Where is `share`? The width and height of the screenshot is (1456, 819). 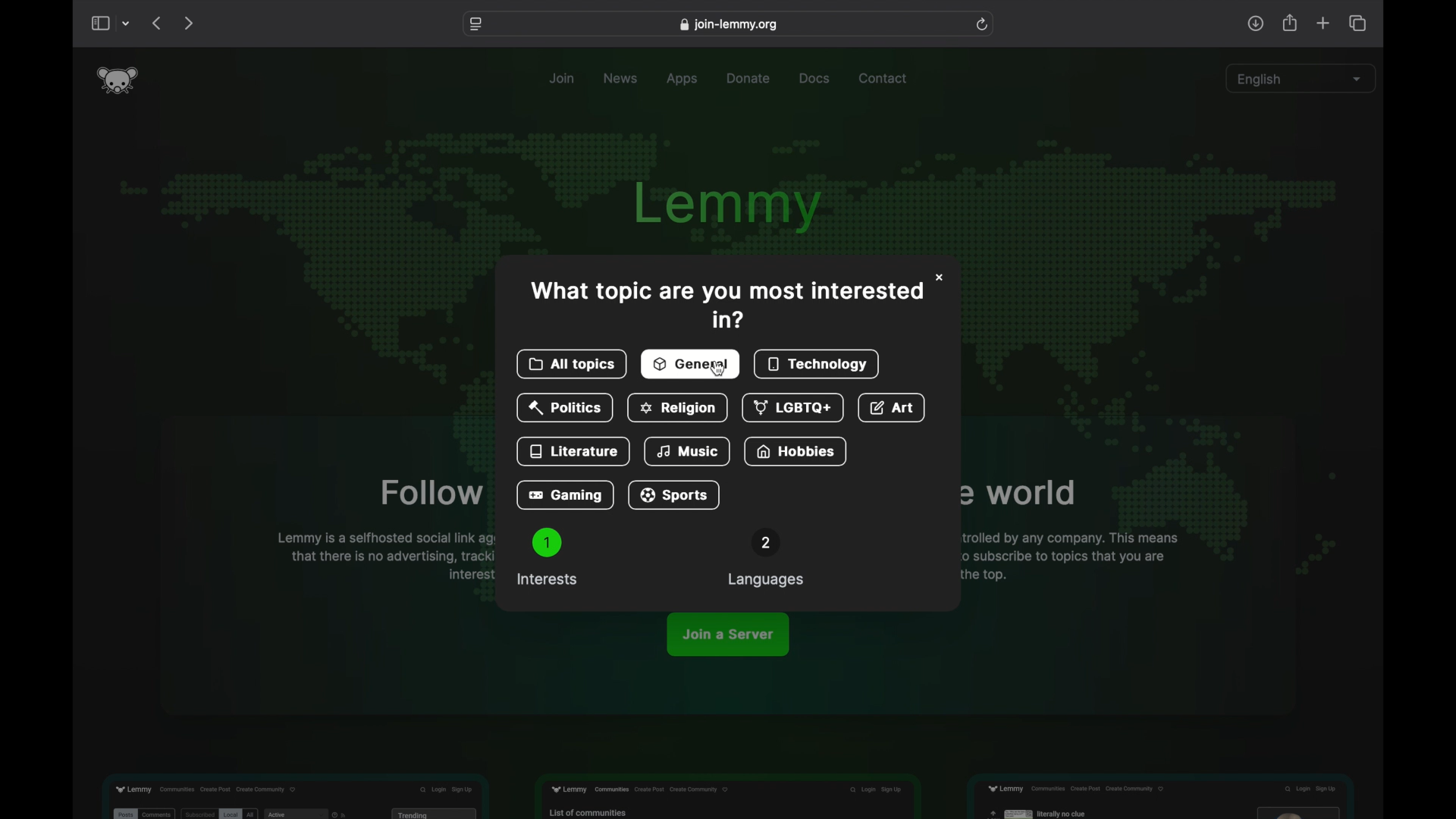
share is located at coordinates (1255, 24).